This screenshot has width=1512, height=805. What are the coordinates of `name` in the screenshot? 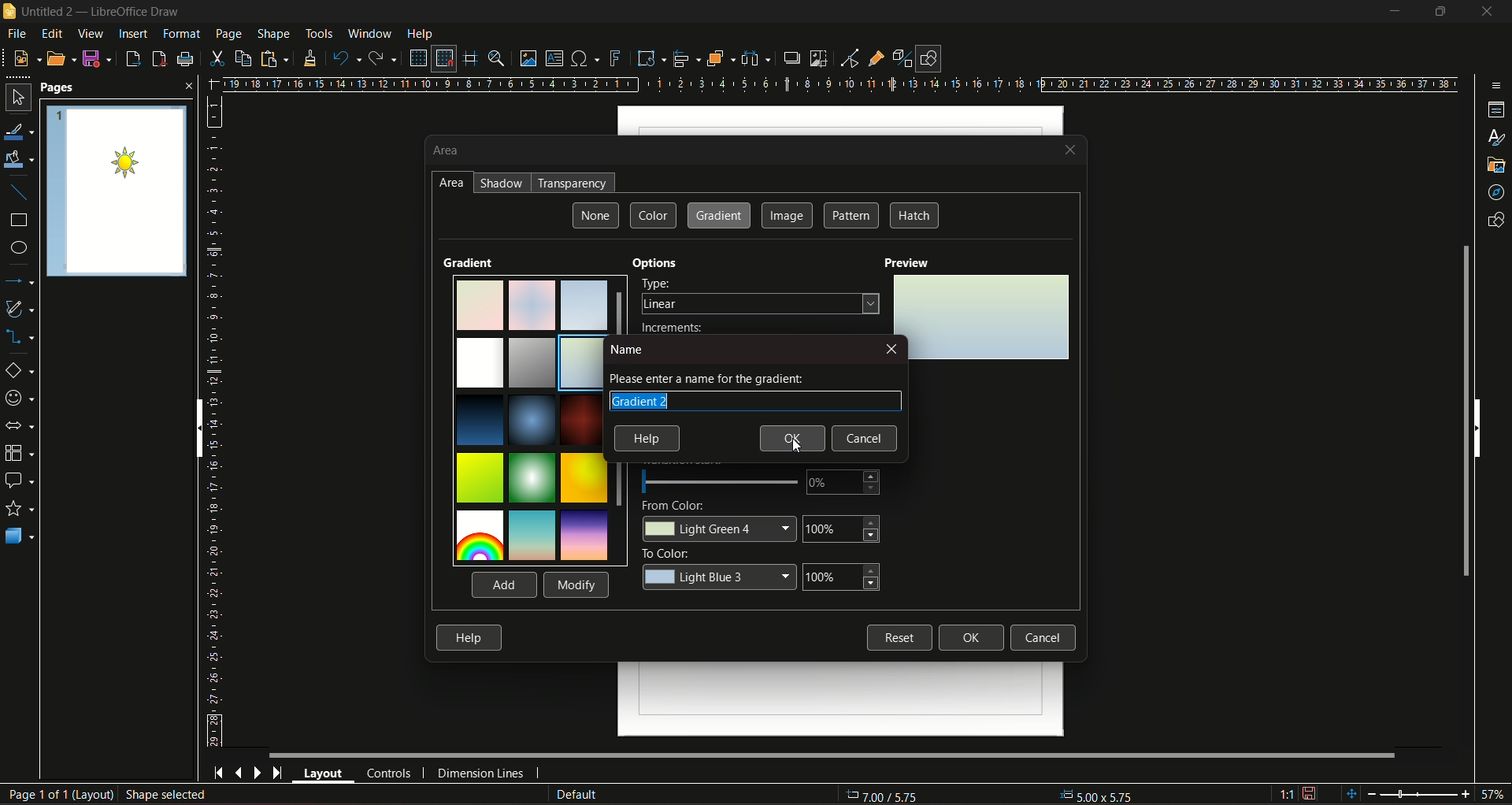 It's located at (628, 351).